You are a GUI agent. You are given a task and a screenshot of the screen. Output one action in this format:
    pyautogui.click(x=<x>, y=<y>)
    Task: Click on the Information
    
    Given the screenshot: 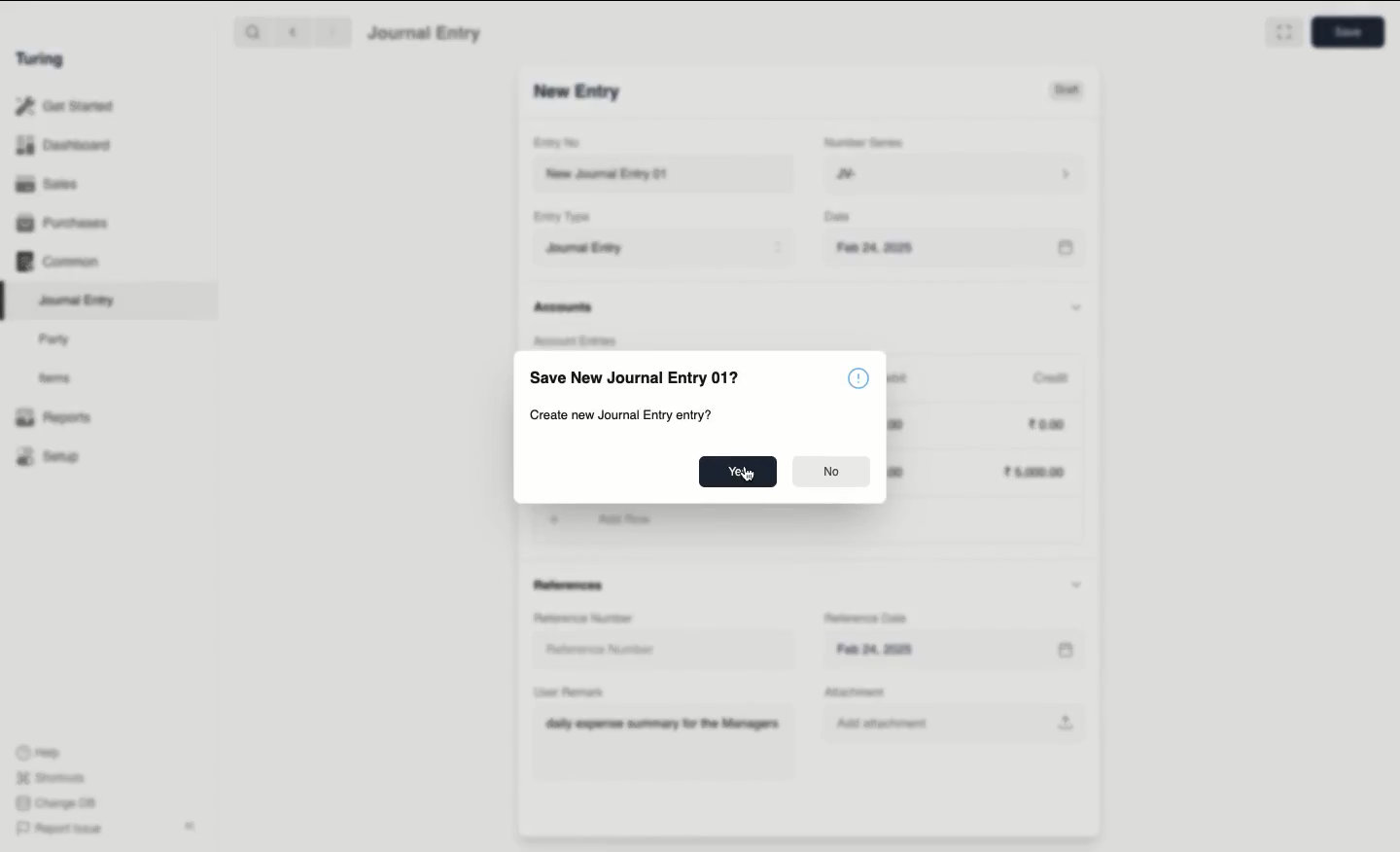 What is the action you would take?
    pyautogui.click(x=857, y=377)
    